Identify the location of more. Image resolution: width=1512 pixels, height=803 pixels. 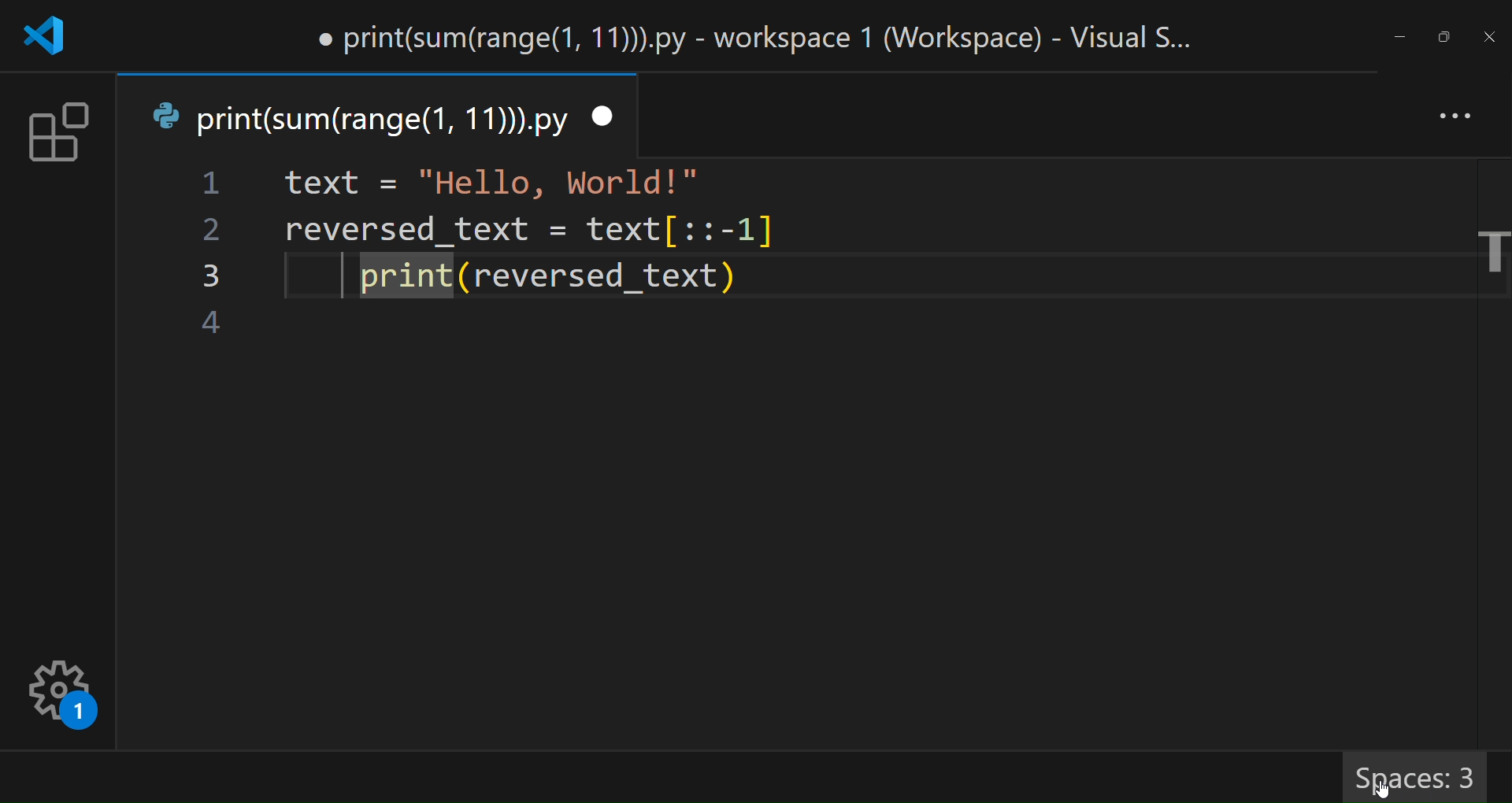
(1451, 120).